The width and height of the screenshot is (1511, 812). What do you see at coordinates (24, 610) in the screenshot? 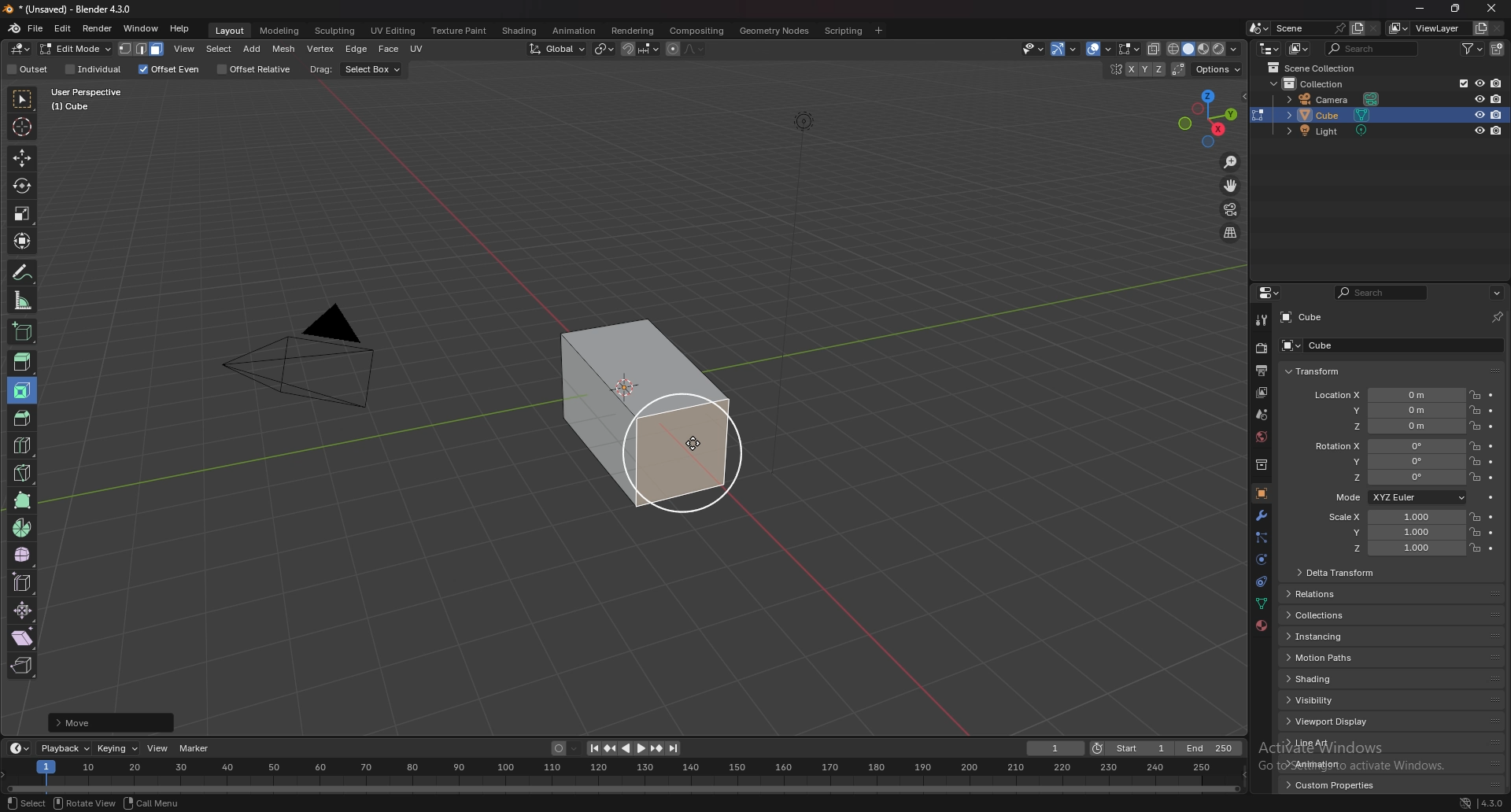
I see `shrink` at bounding box center [24, 610].